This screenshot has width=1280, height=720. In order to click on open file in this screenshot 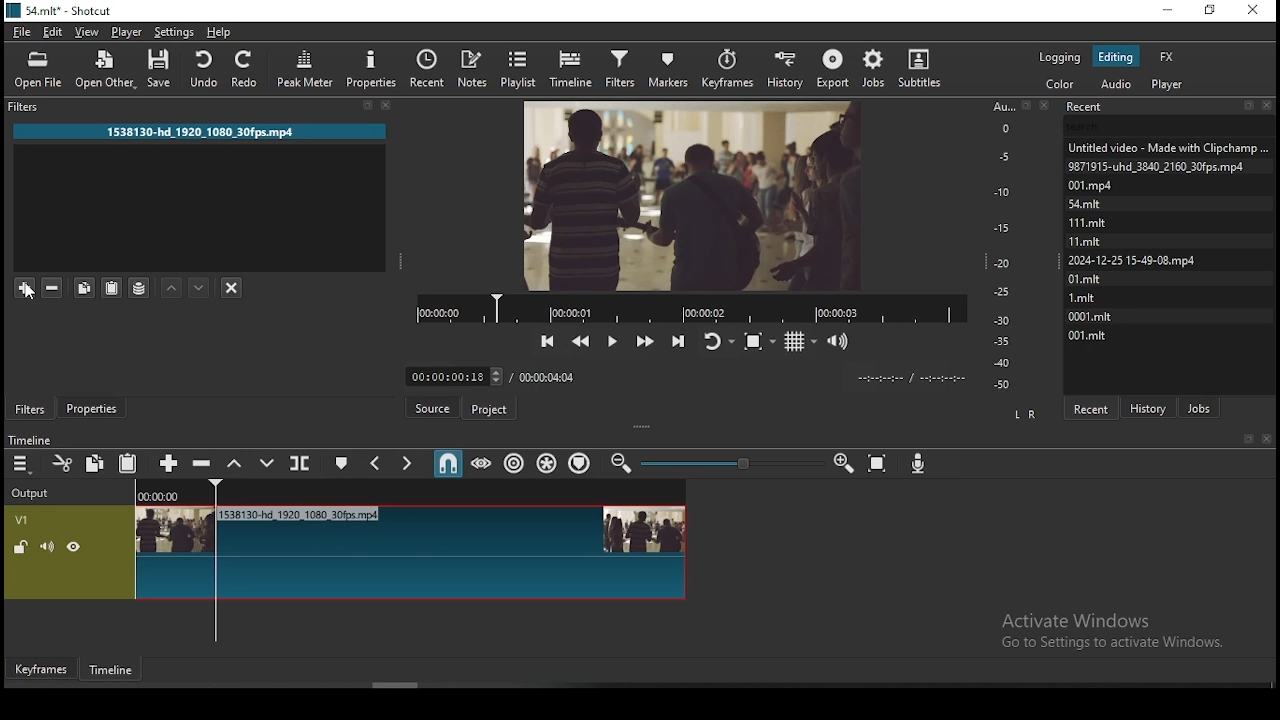, I will do `click(37, 69)`.